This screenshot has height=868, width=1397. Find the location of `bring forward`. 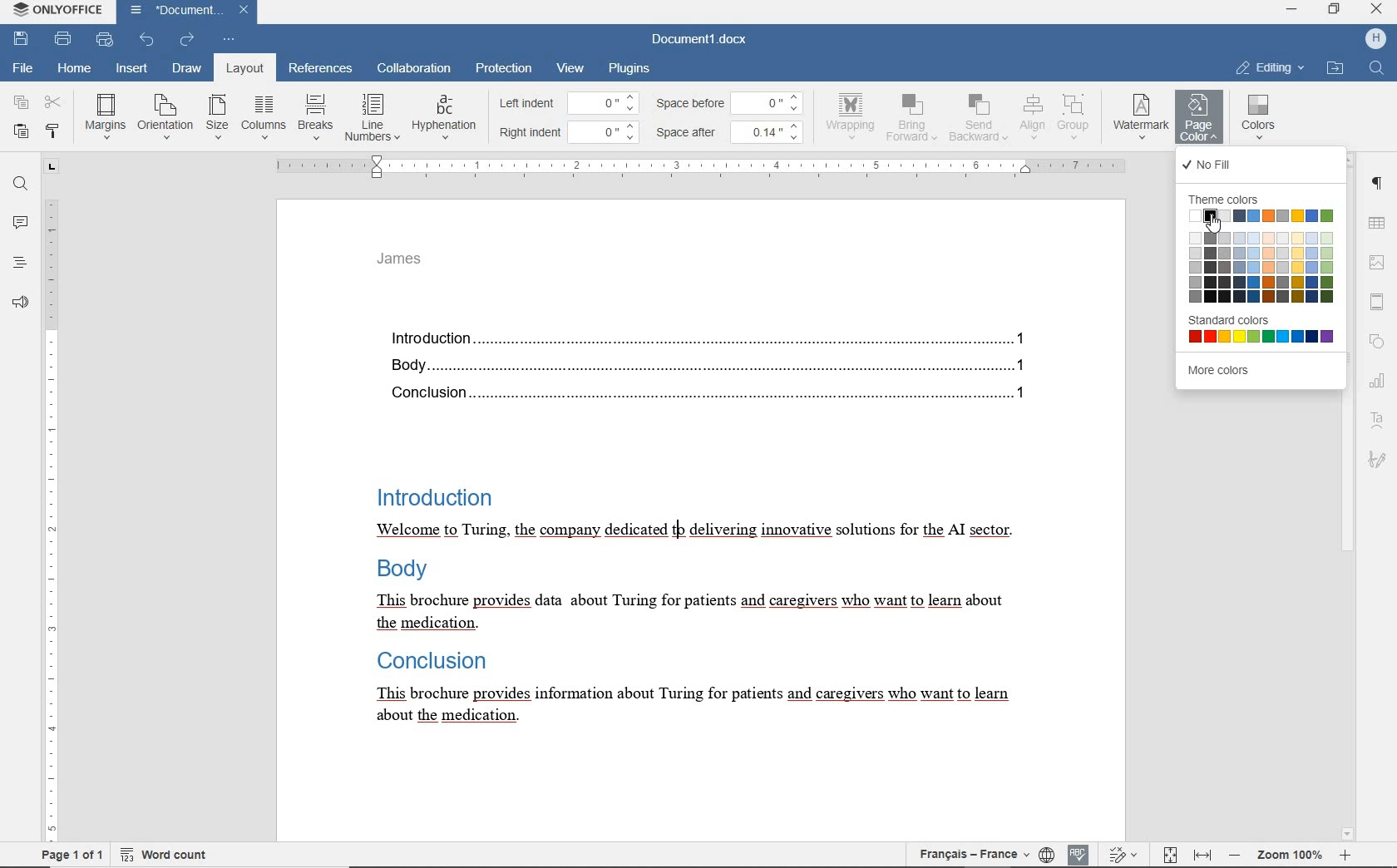

bring forward is located at coordinates (912, 118).